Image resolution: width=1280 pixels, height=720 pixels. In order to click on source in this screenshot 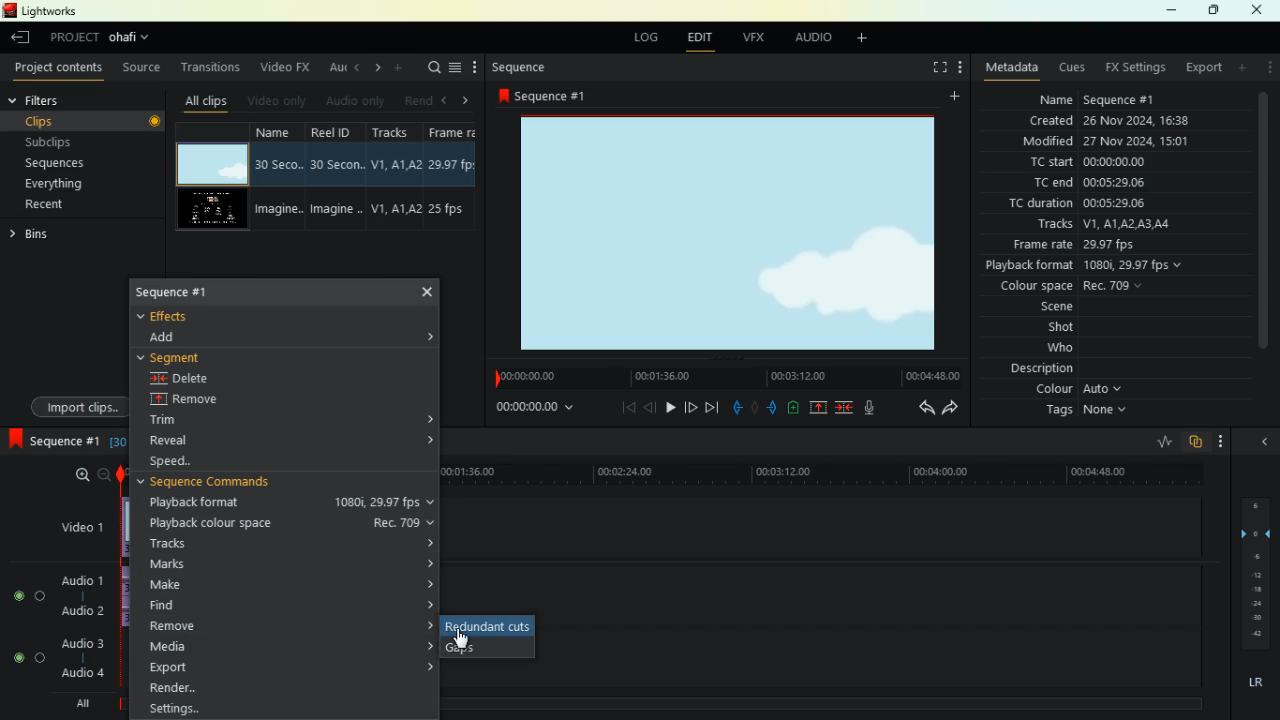, I will do `click(144, 67)`.